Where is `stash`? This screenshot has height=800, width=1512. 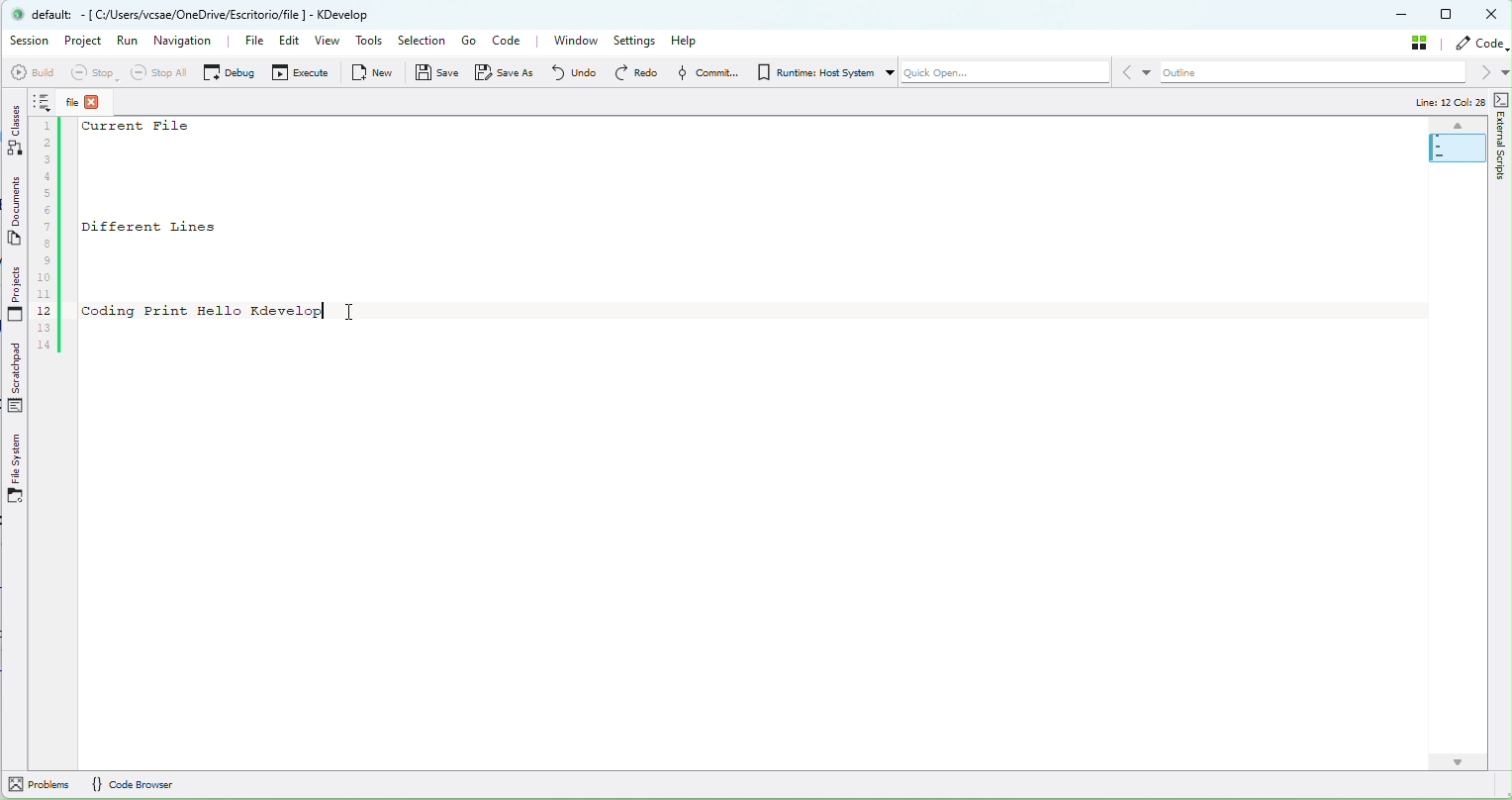 stash is located at coordinates (1423, 42).